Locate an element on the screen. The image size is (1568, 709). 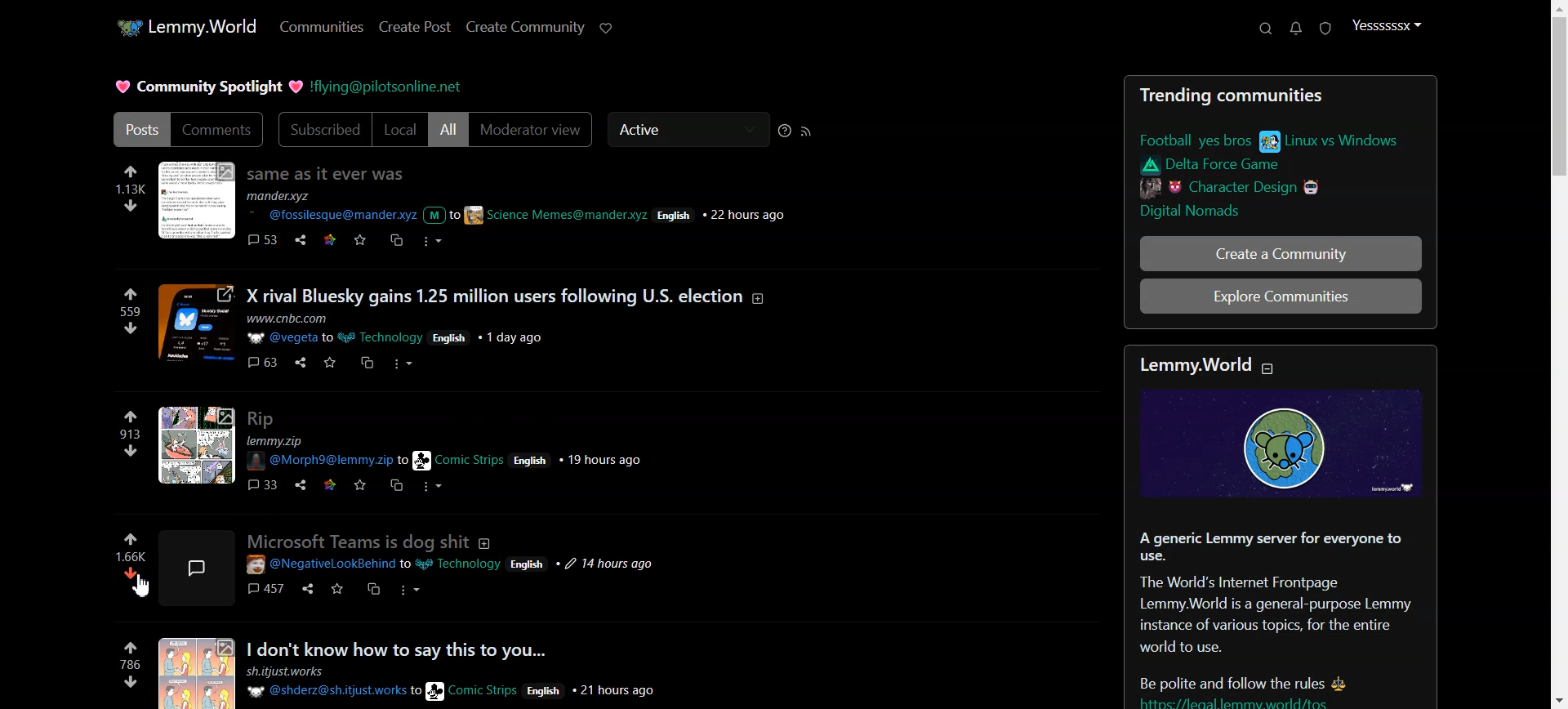
Profile is located at coordinates (1385, 25).